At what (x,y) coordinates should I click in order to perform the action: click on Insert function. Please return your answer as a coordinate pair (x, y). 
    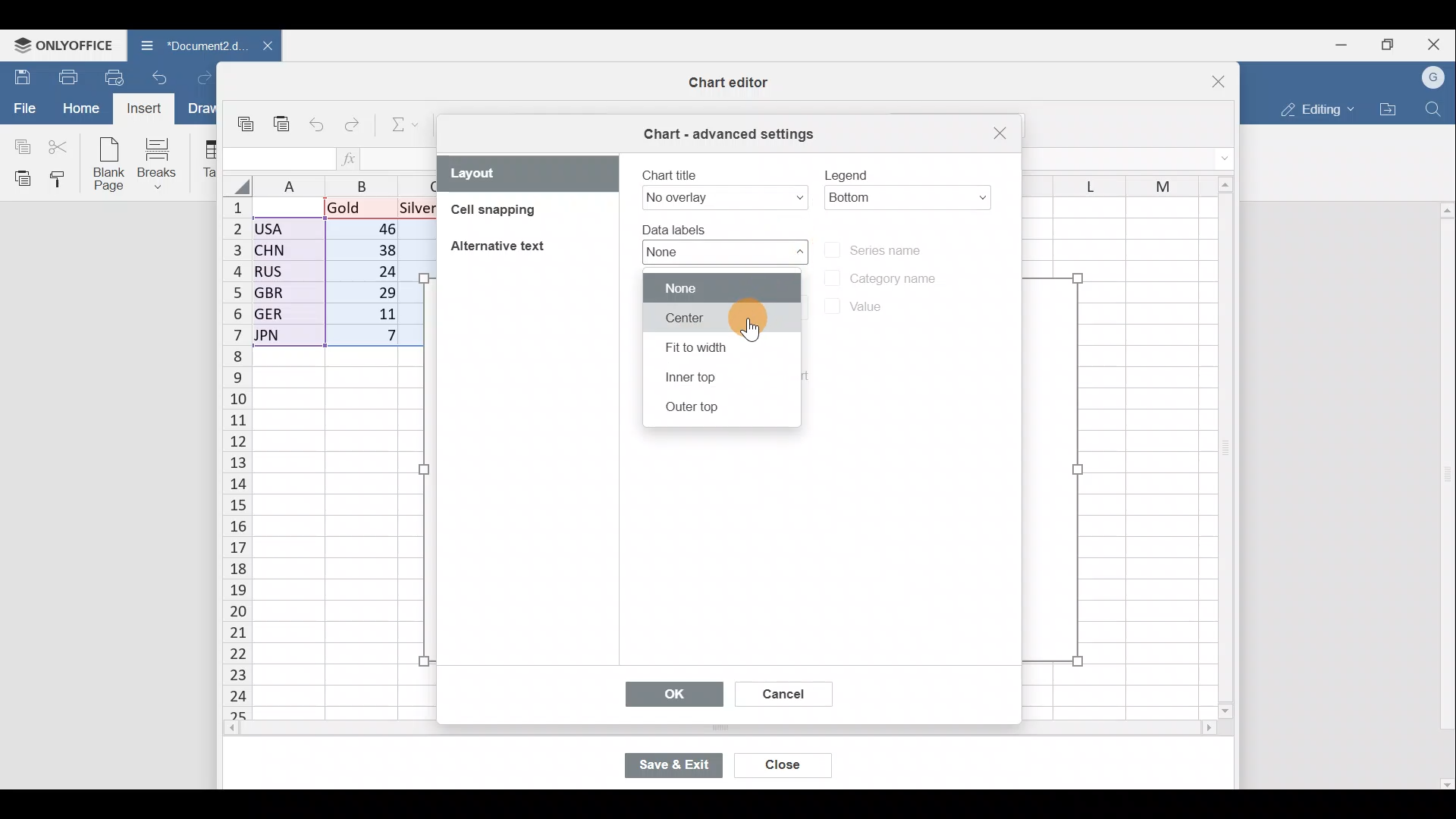
    Looking at the image, I should click on (359, 158).